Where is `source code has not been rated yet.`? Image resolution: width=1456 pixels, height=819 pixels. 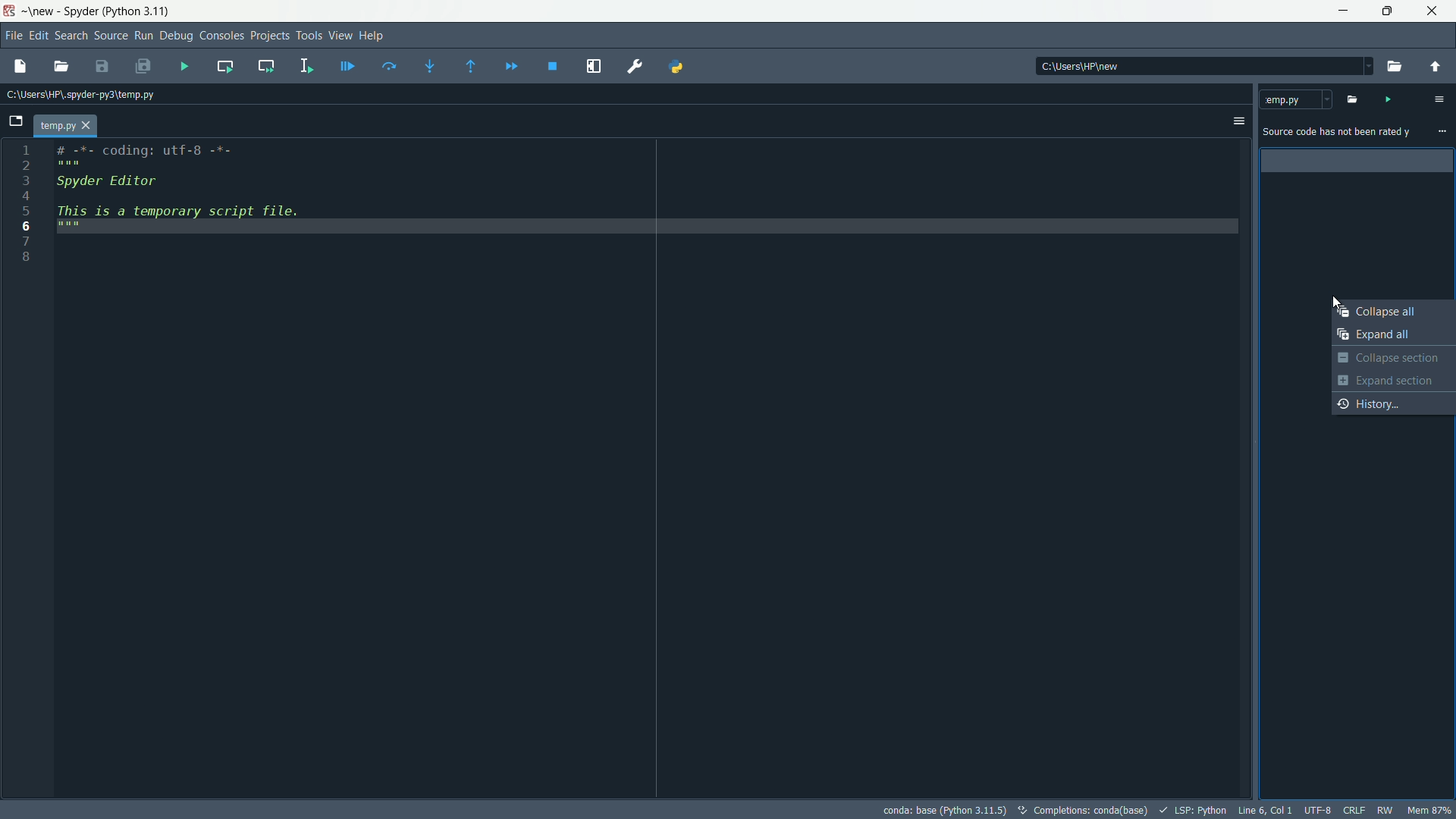
source code has not been rated yet. is located at coordinates (1337, 133).